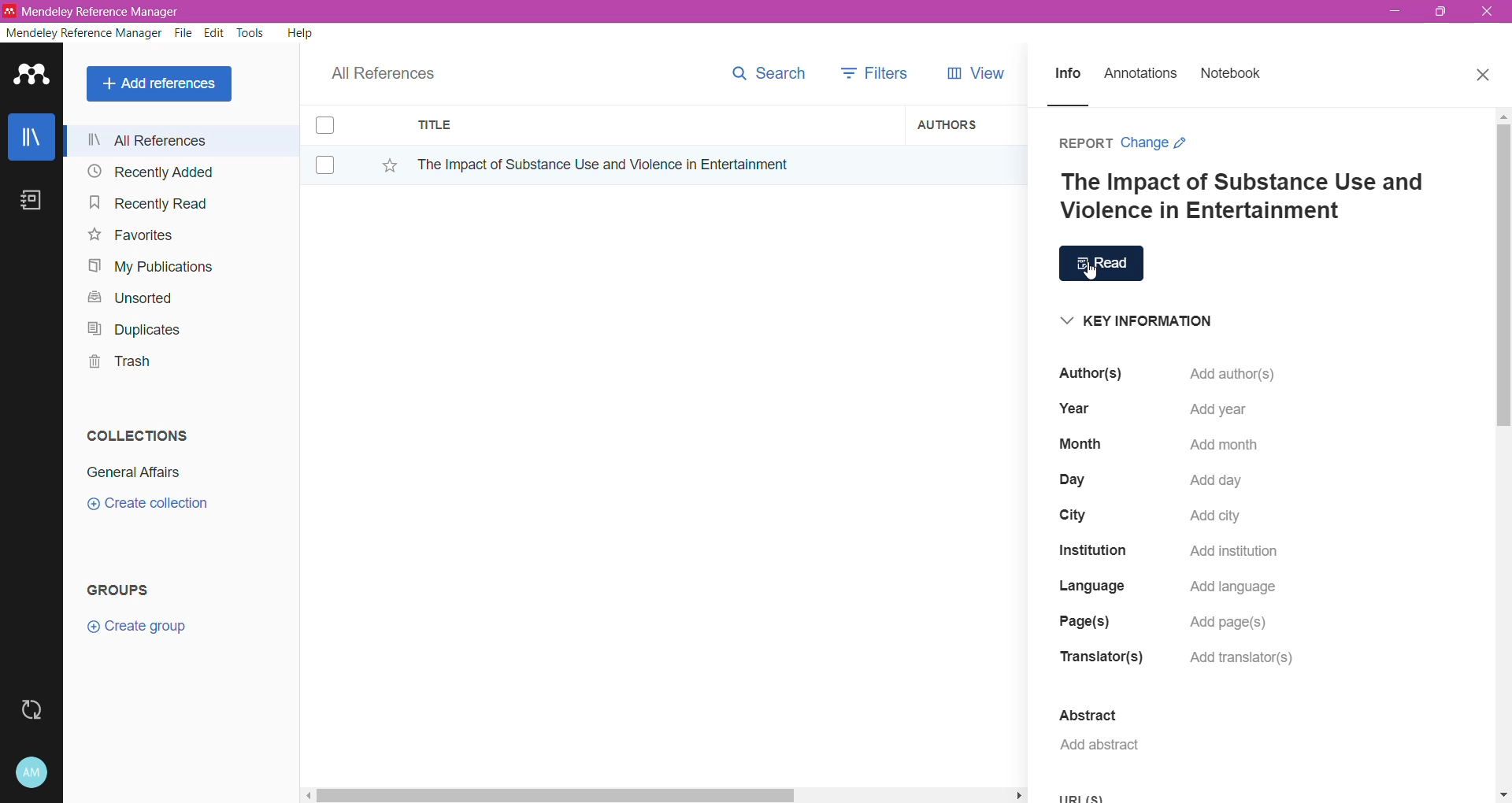  Describe the element at coordinates (1395, 12) in the screenshot. I see `Minimize` at that location.